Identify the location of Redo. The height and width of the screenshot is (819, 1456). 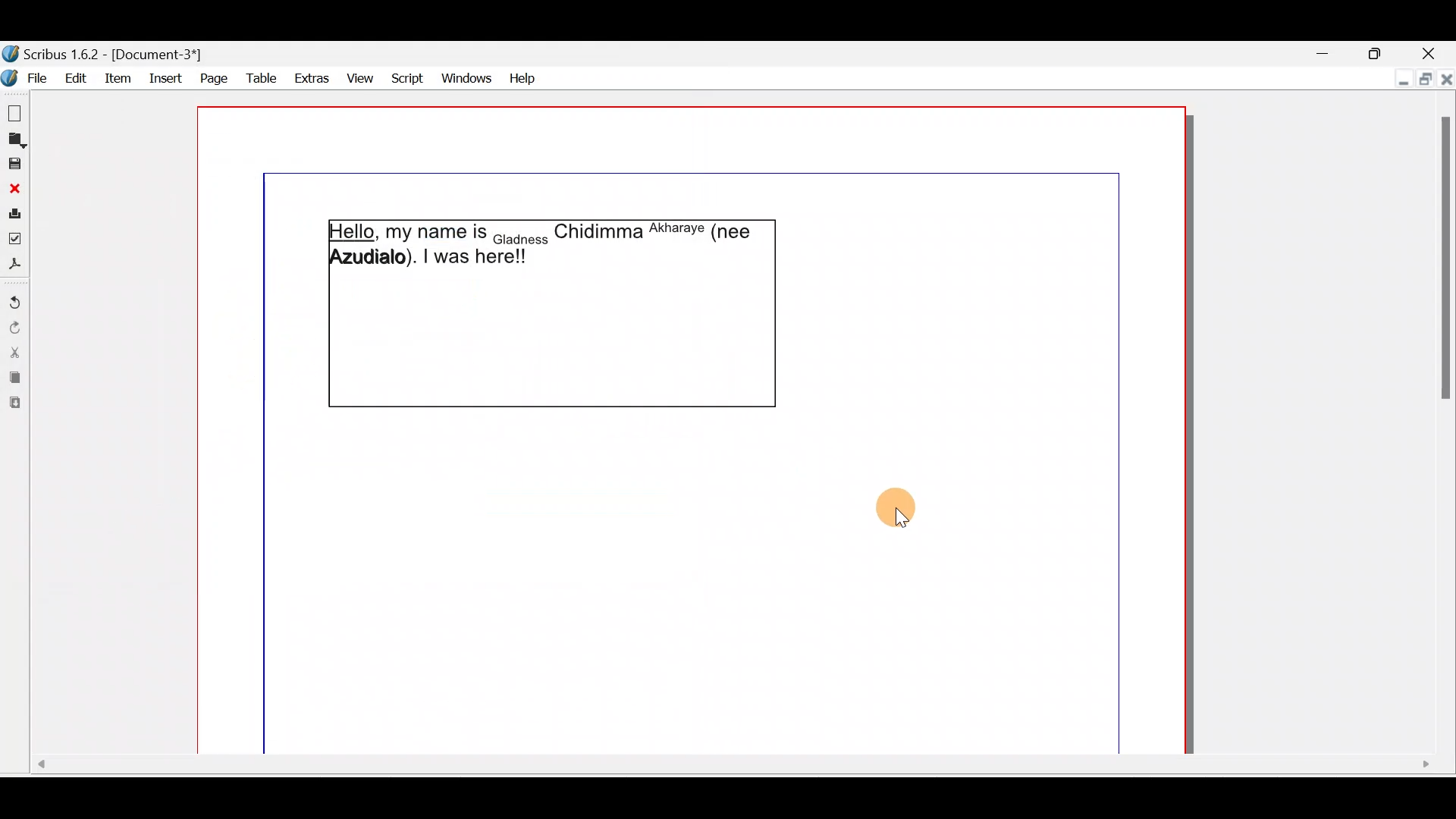
(13, 328).